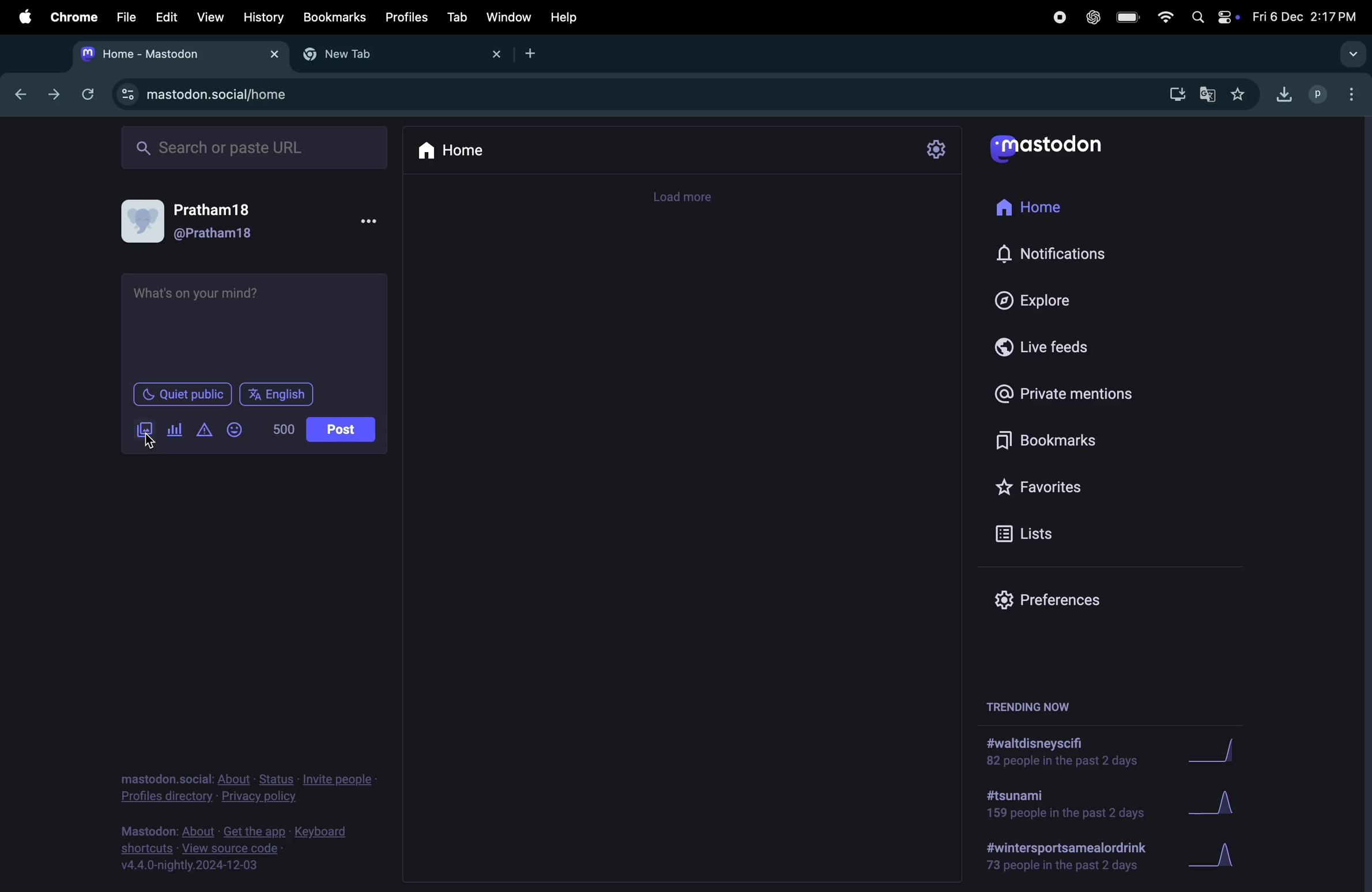  I want to click on trending now, so click(1030, 707).